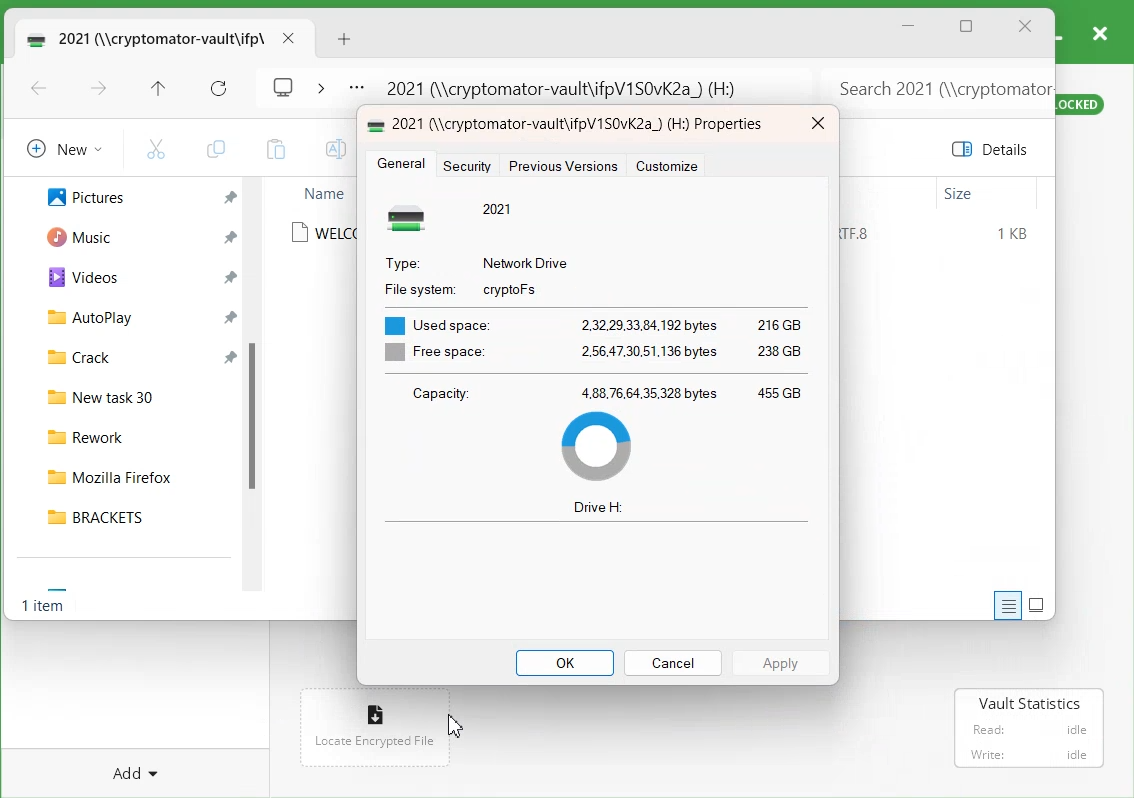  I want to click on OK, so click(565, 663).